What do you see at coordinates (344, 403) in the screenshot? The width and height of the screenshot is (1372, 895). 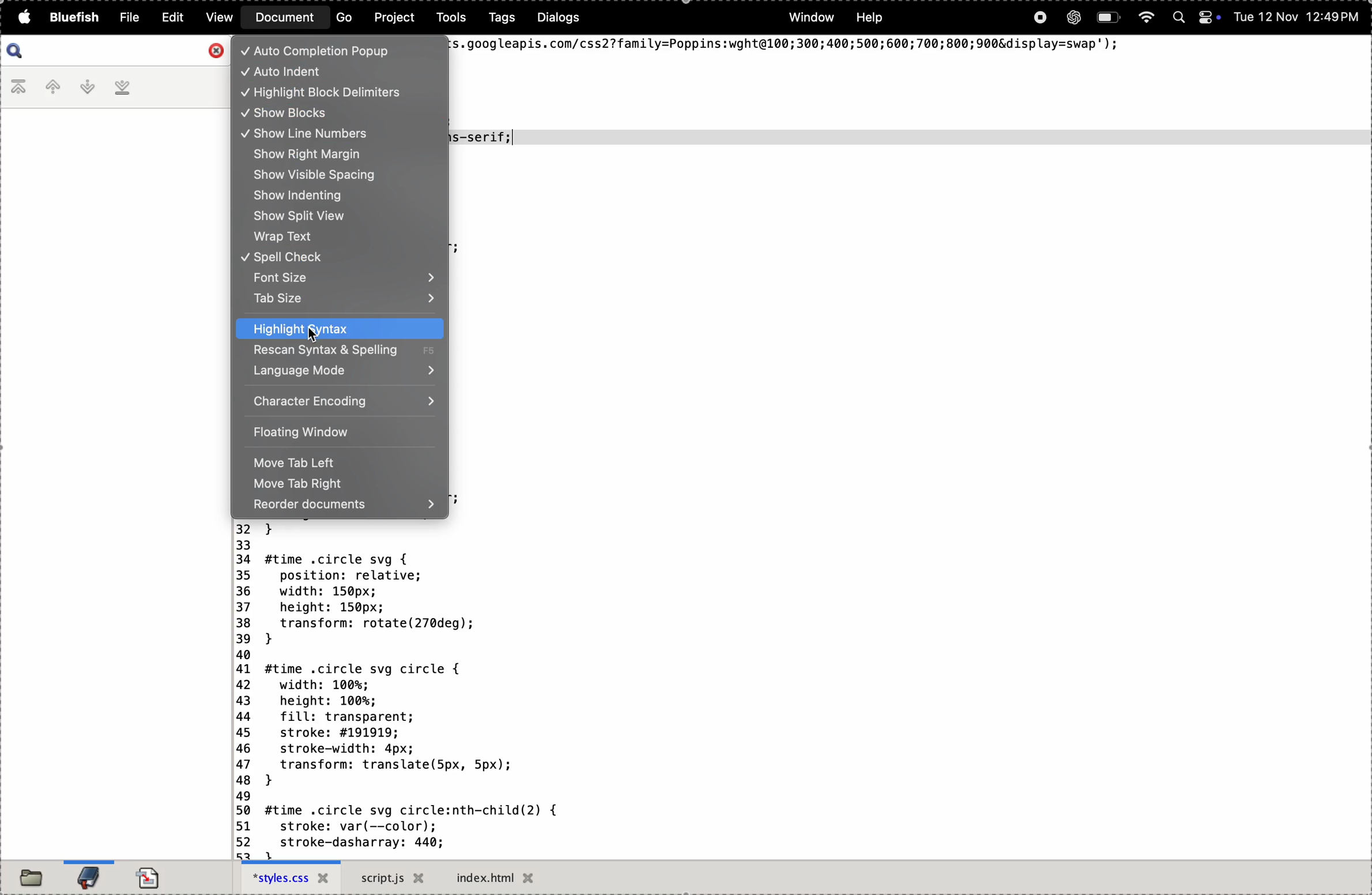 I see `character encoding` at bounding box center [344, 403].